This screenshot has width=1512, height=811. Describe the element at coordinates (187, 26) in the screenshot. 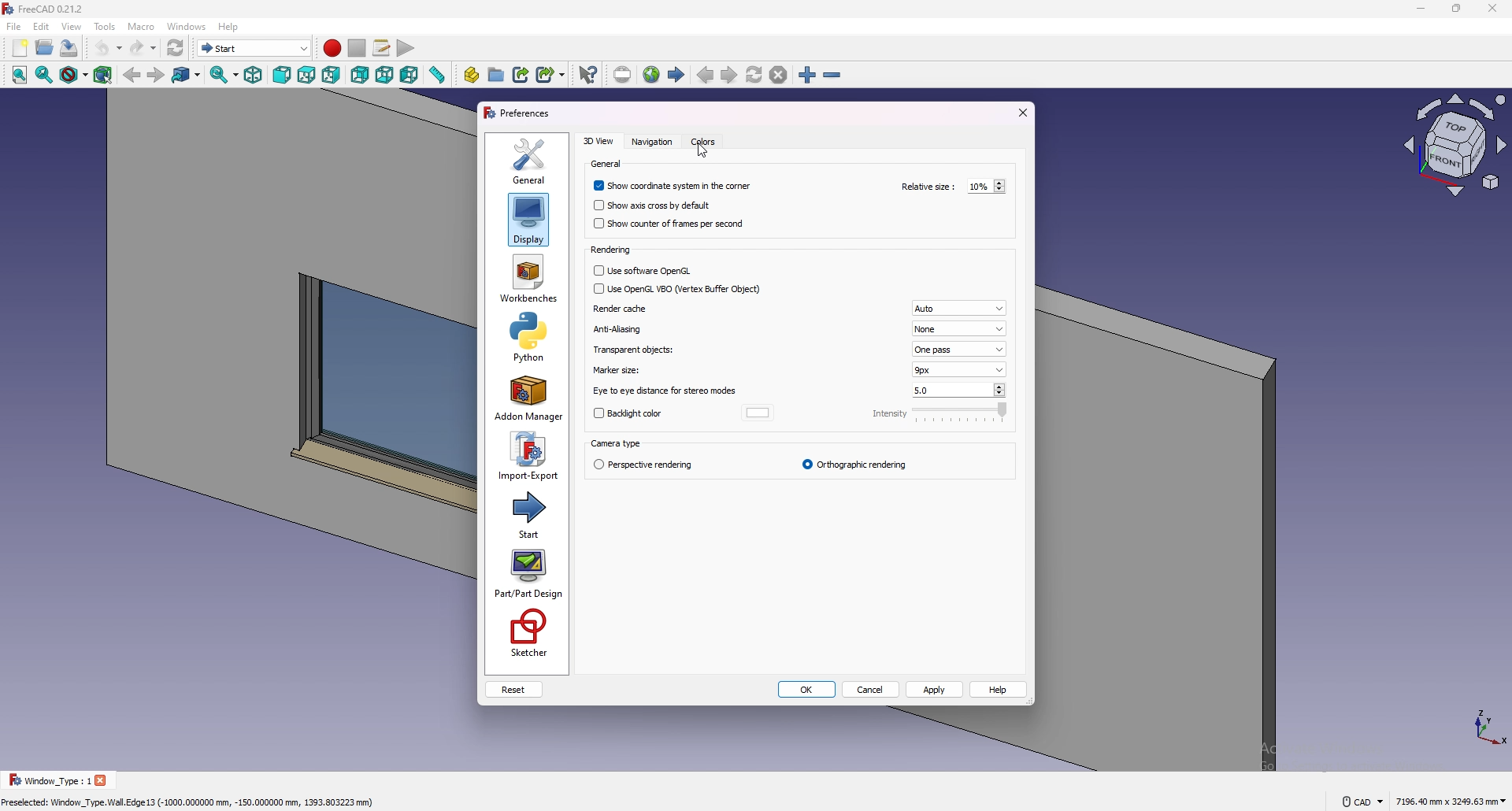

I see `windows` at that location.